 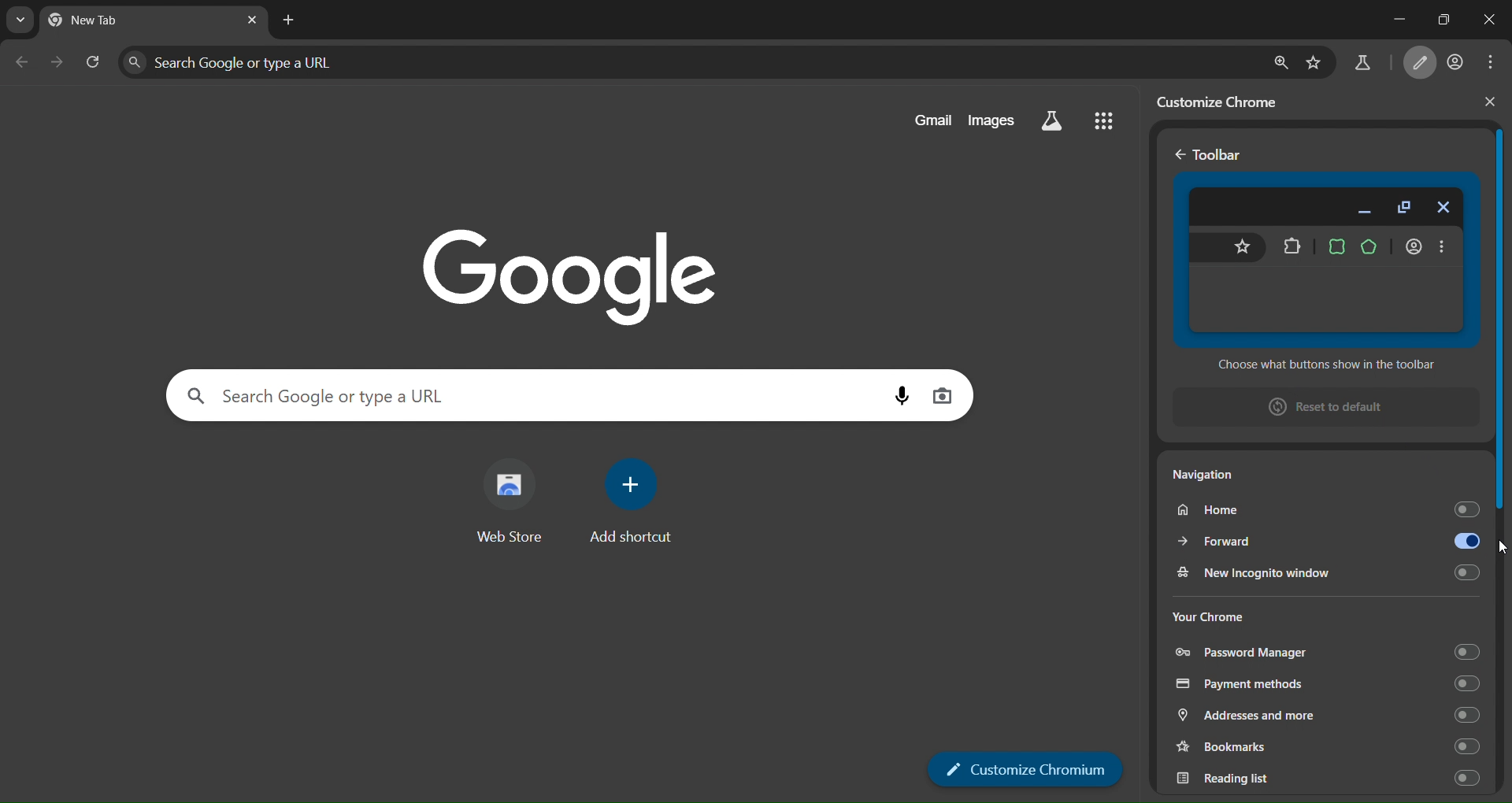 What do you see at coordinates (252, 20) in the screenshot?
I see `close tab` at bounding box center [252, 20].